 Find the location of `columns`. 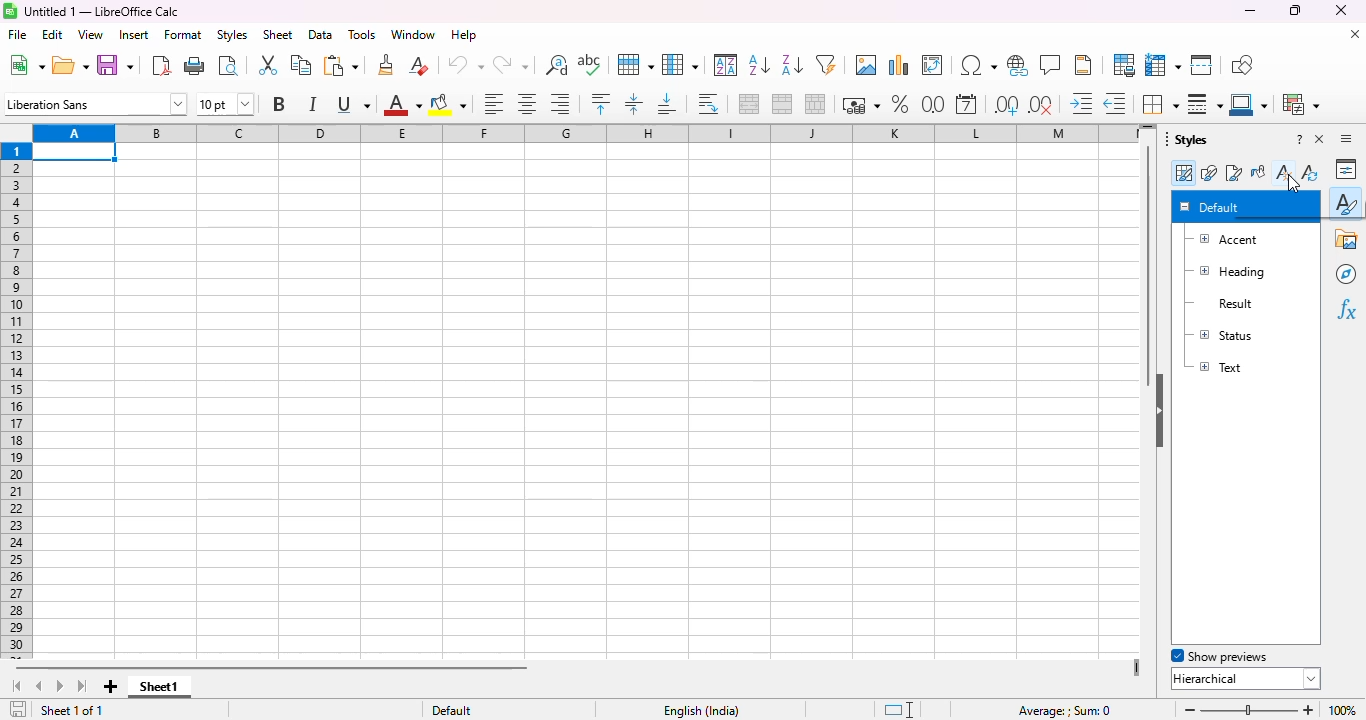

columns is located at coordinates (581, 133).